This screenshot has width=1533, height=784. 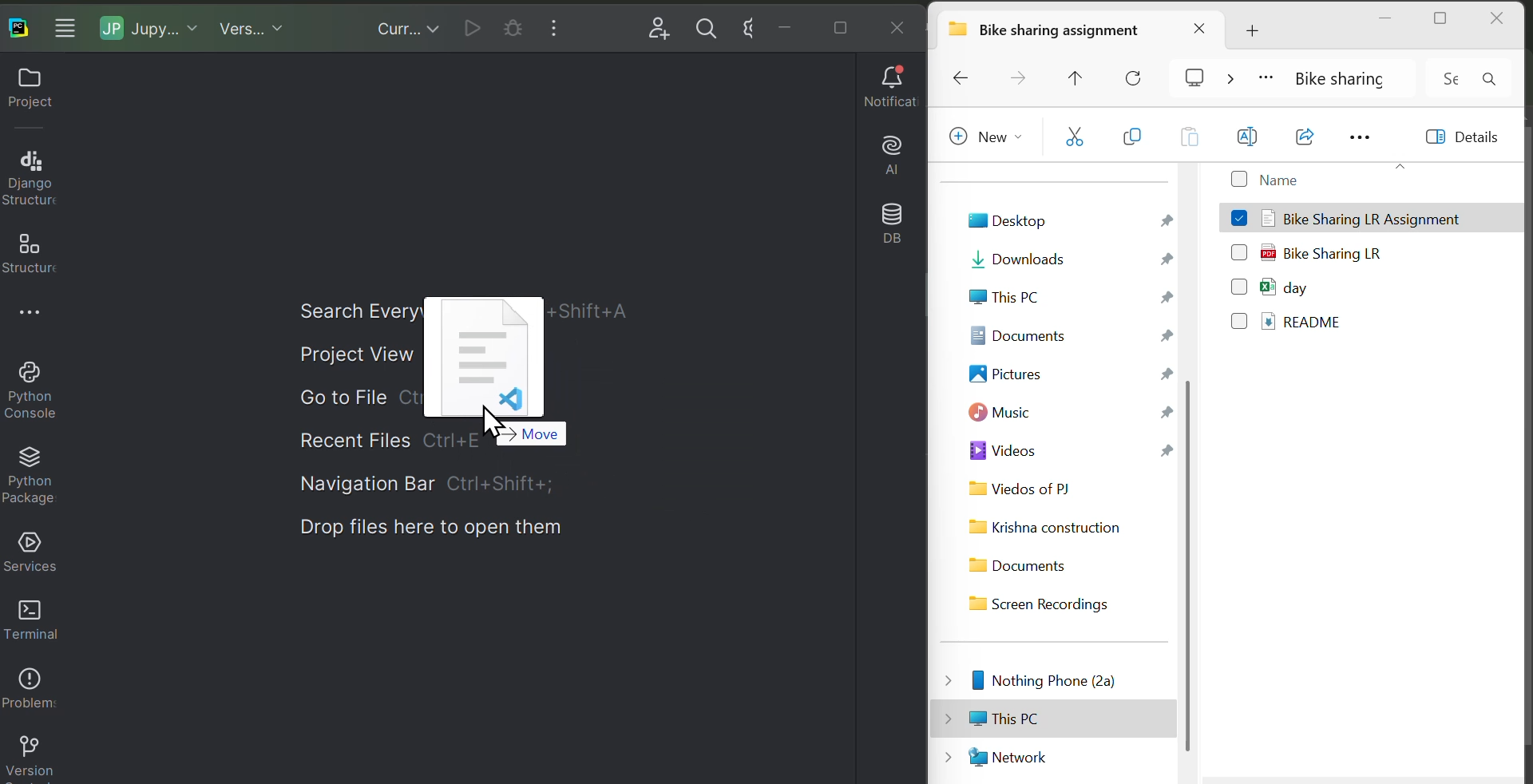 I want to click on Django structure, so click(x=35, y=177).